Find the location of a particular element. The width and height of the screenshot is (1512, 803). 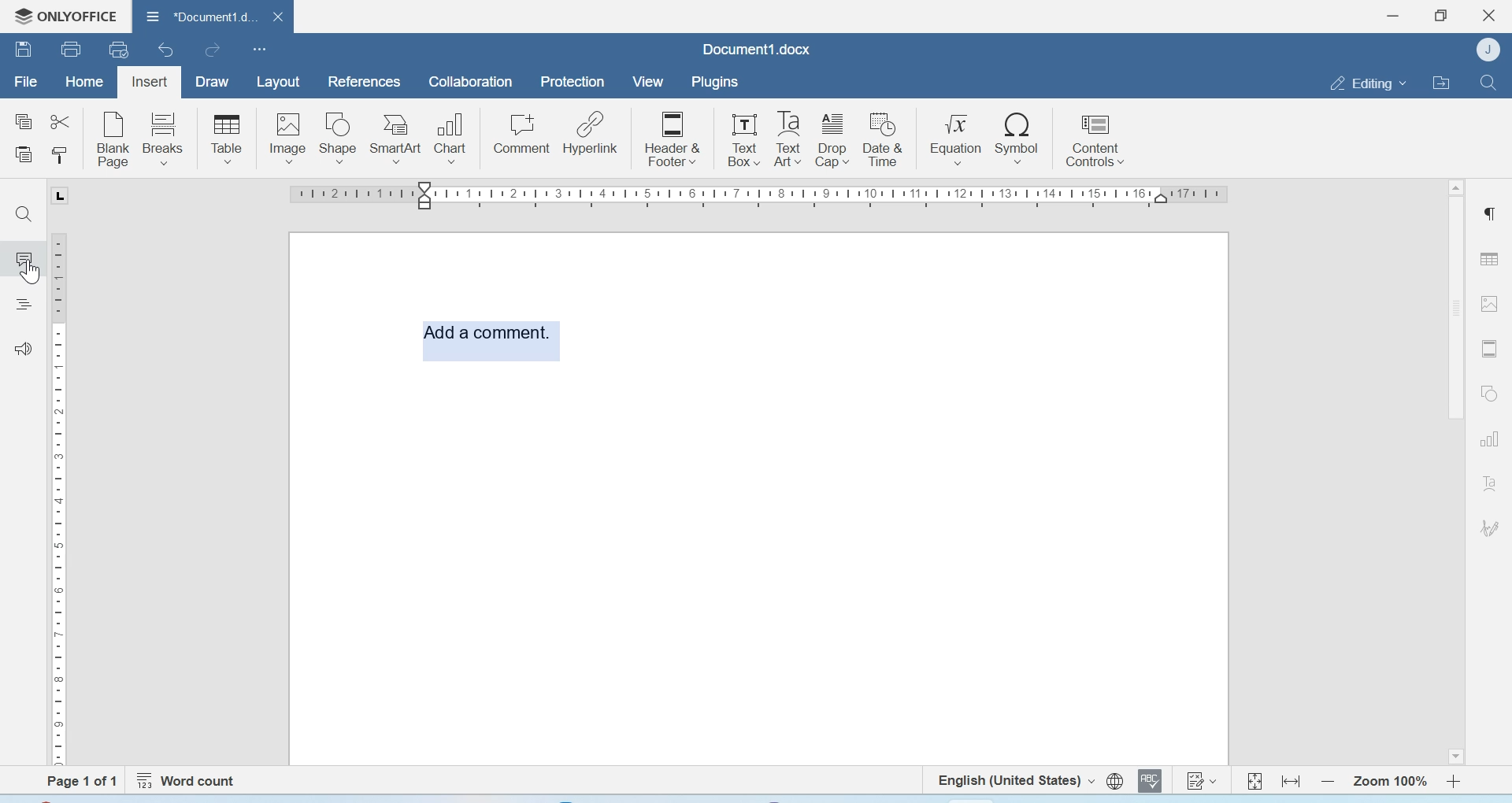

Comment icon is located at coordinates (20, 255).